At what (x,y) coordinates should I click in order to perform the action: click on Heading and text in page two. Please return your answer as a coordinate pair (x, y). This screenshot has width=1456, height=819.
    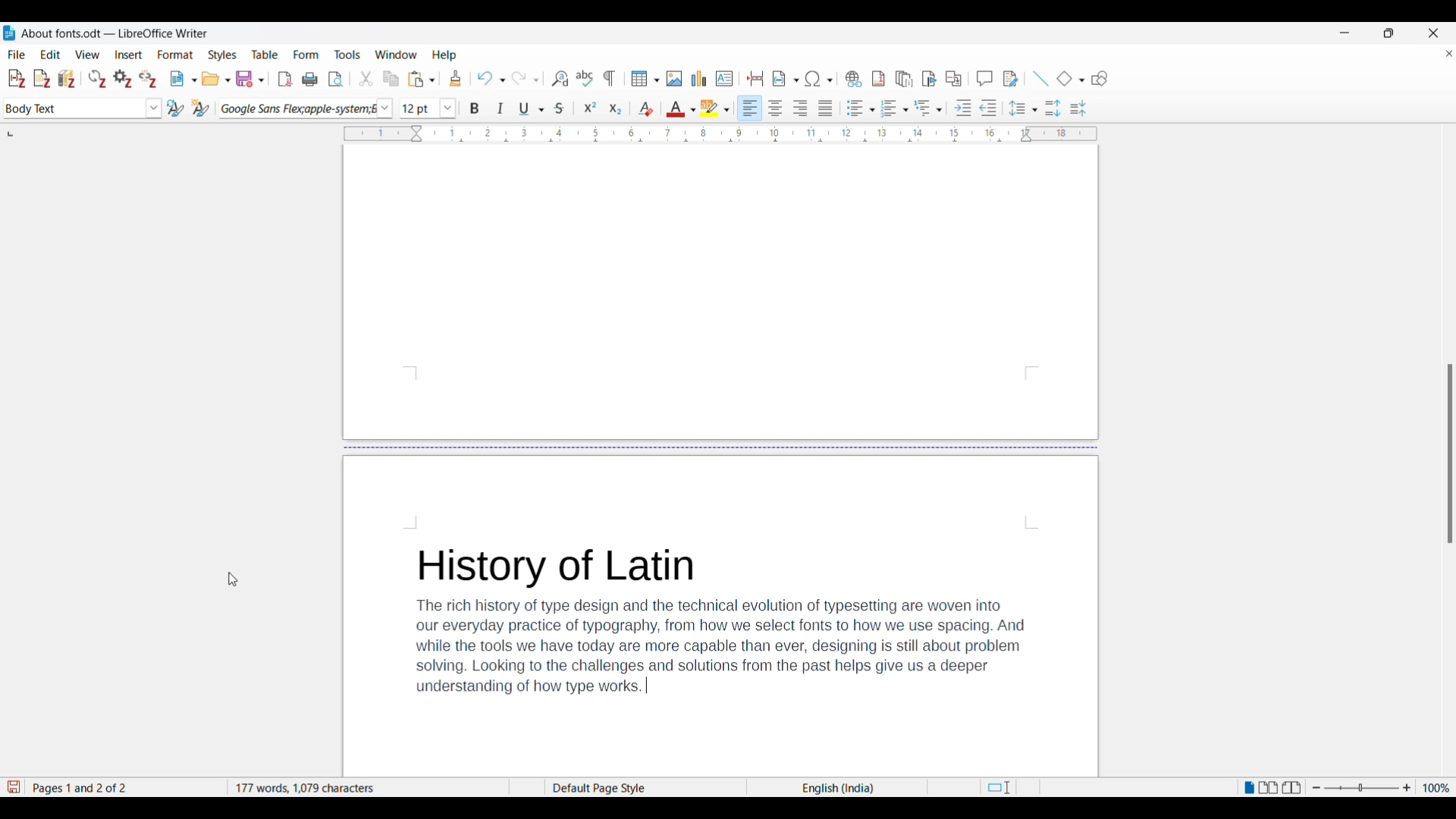
    Looking at the image, I should click on (721, 620).